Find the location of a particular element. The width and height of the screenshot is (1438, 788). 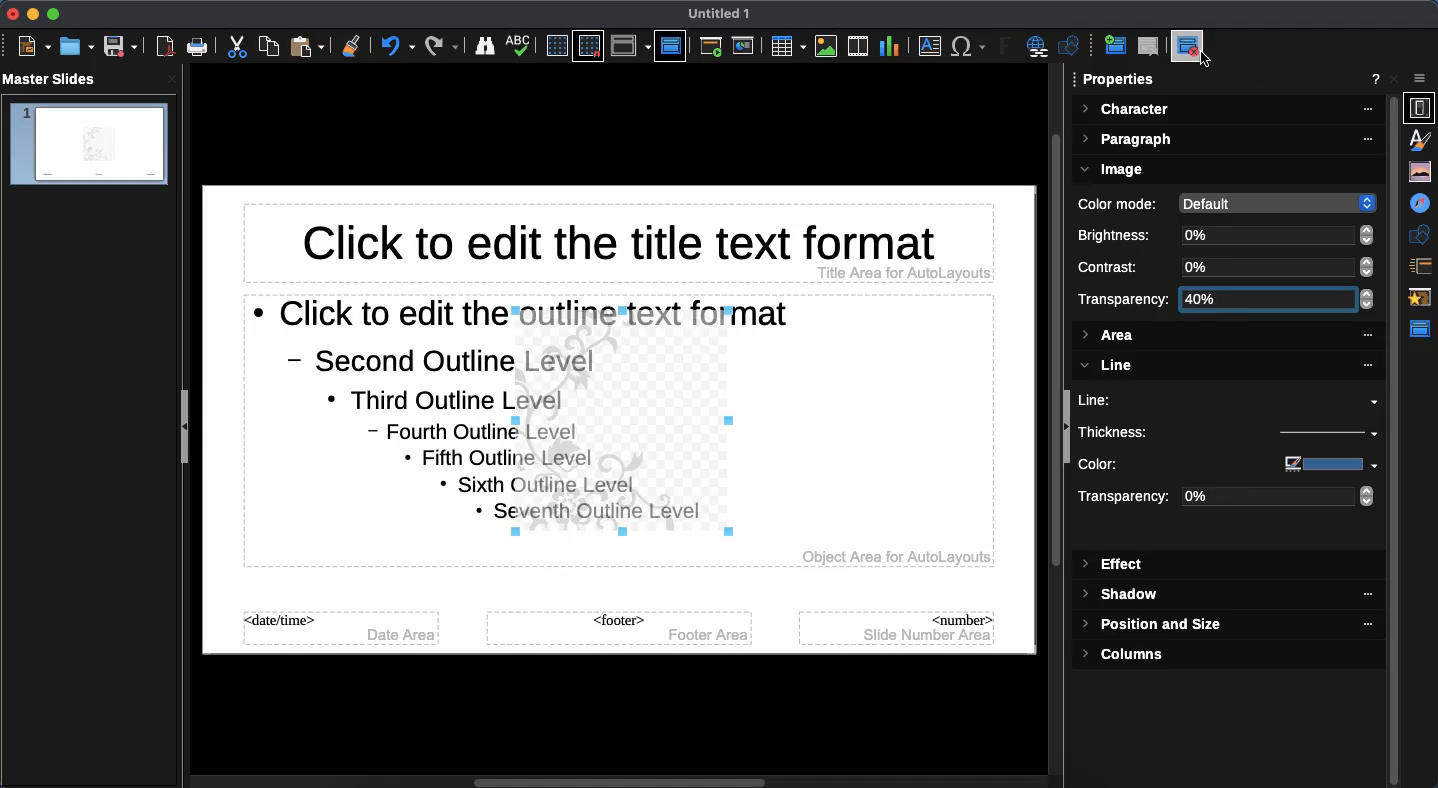

"" is located at coordinates (1358, 595).